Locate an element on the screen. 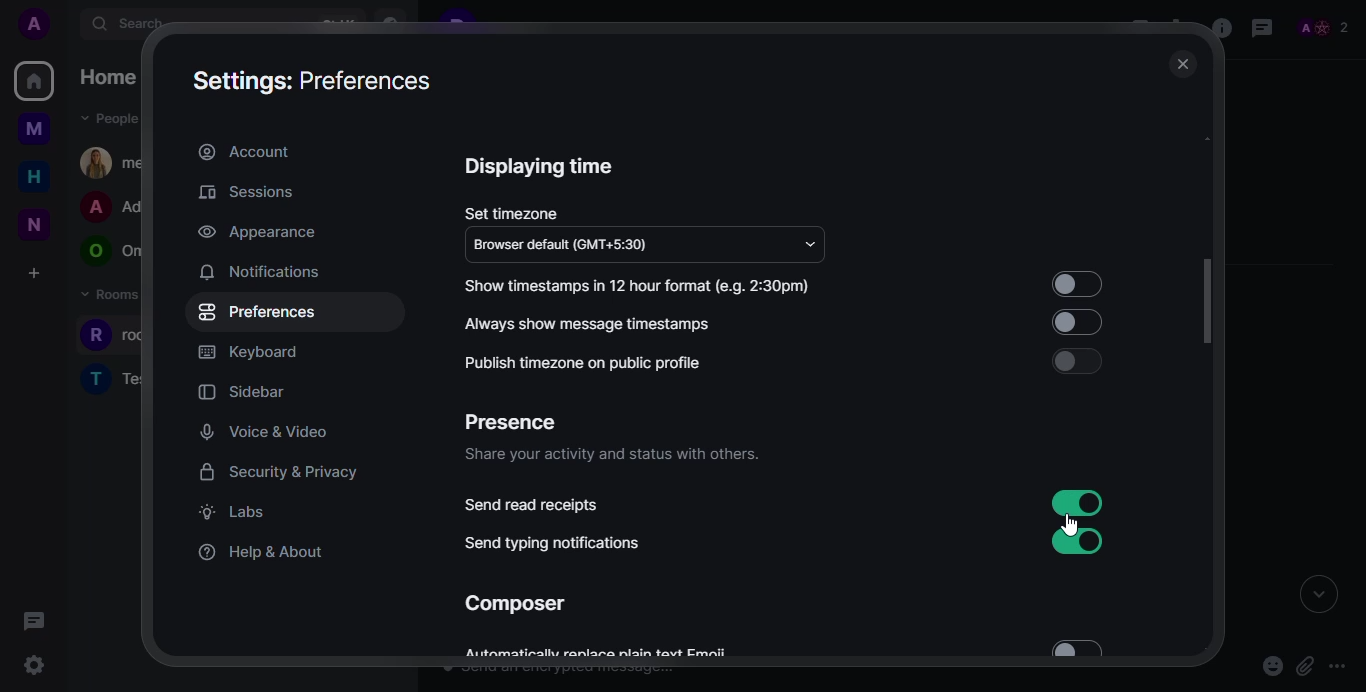 The height and width of the screenshot is (692, 1366). select is located at coordinates (1070, 324).